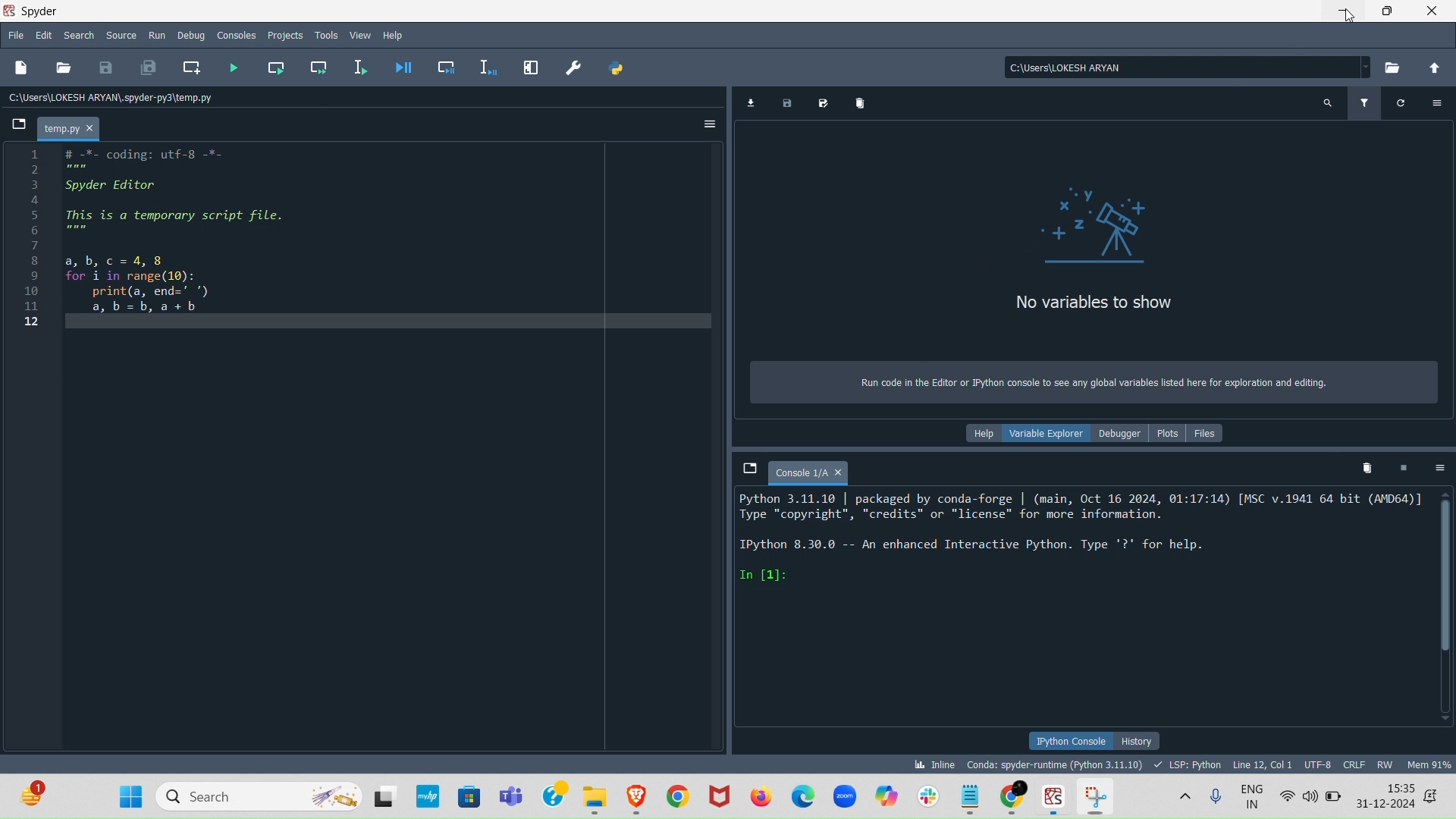 The width and height of the screenshot is (1456, 819). Describe the element at coordinates (1356, 765) in the screenshot. I see `File EOL status` at that location.